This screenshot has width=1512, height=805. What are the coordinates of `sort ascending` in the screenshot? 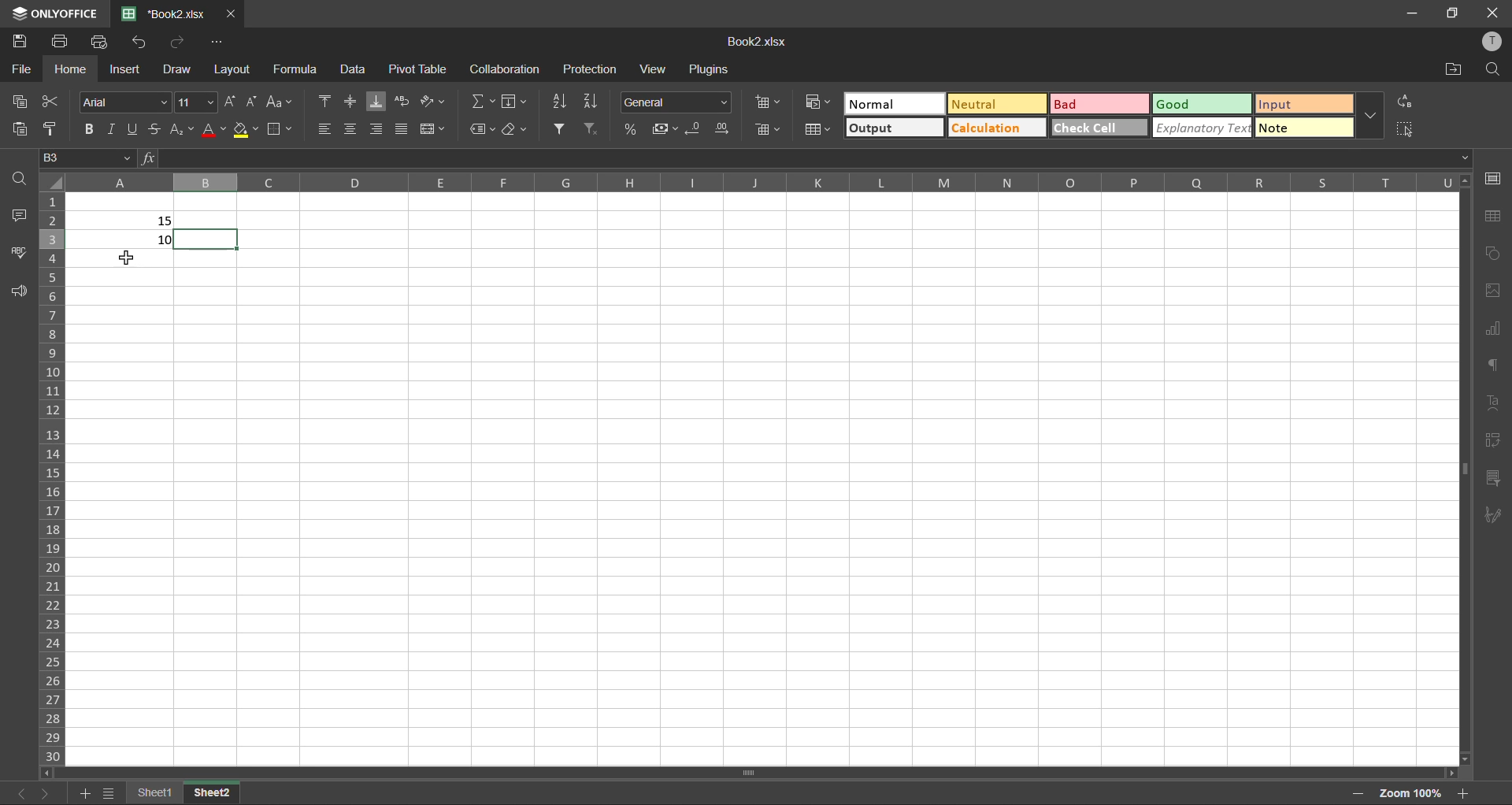 It's located at (557, 102).